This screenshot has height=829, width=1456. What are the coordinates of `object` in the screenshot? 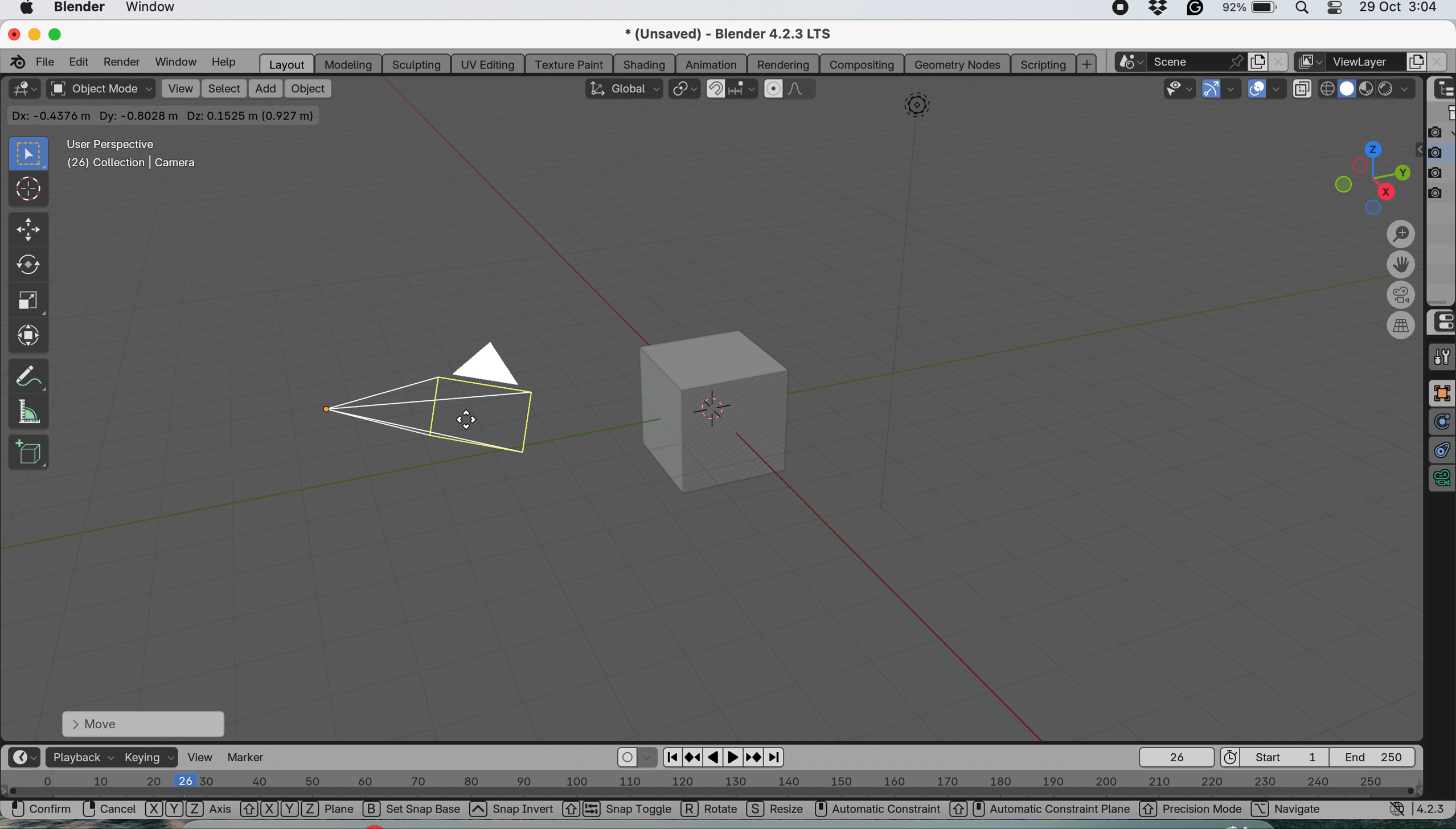 It's located at (308, 88).